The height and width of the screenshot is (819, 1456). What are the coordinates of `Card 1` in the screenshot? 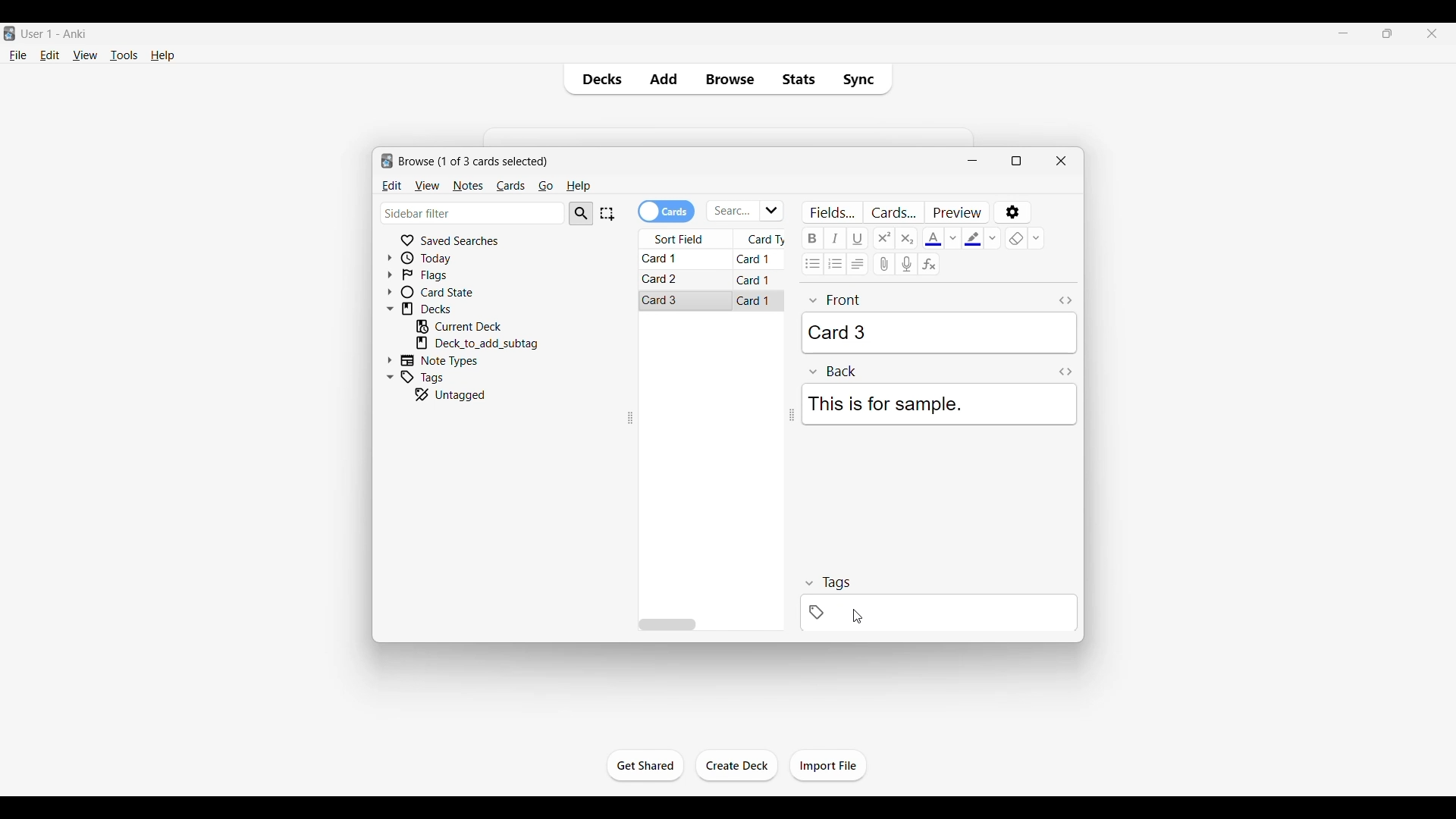 It's located at (754, 279).